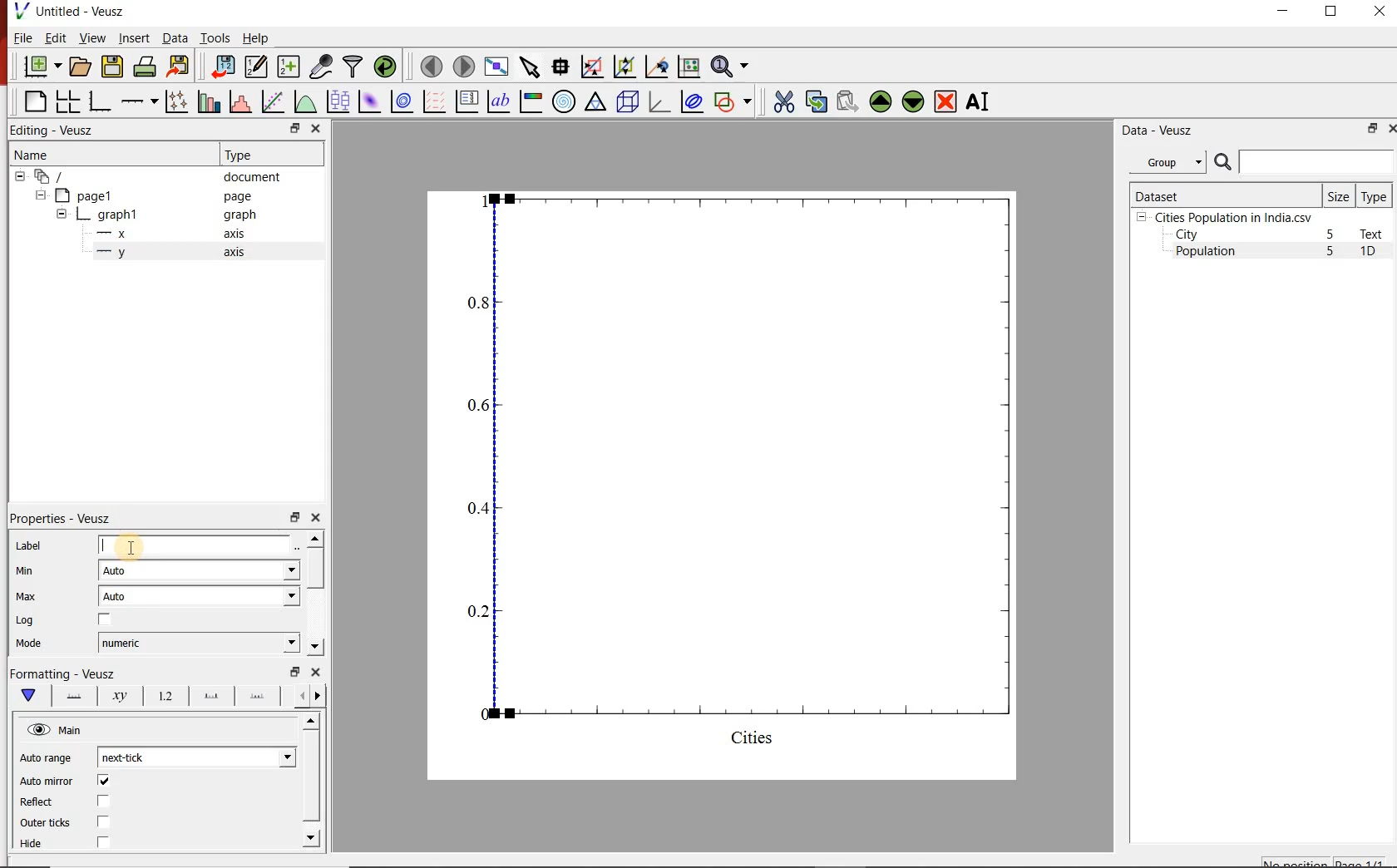 This screenshot has height=868, width=1397. What do you see at coordinates (462, 66) in the screenshot?
I see `move to the next page` at bounding box center [462, 66].